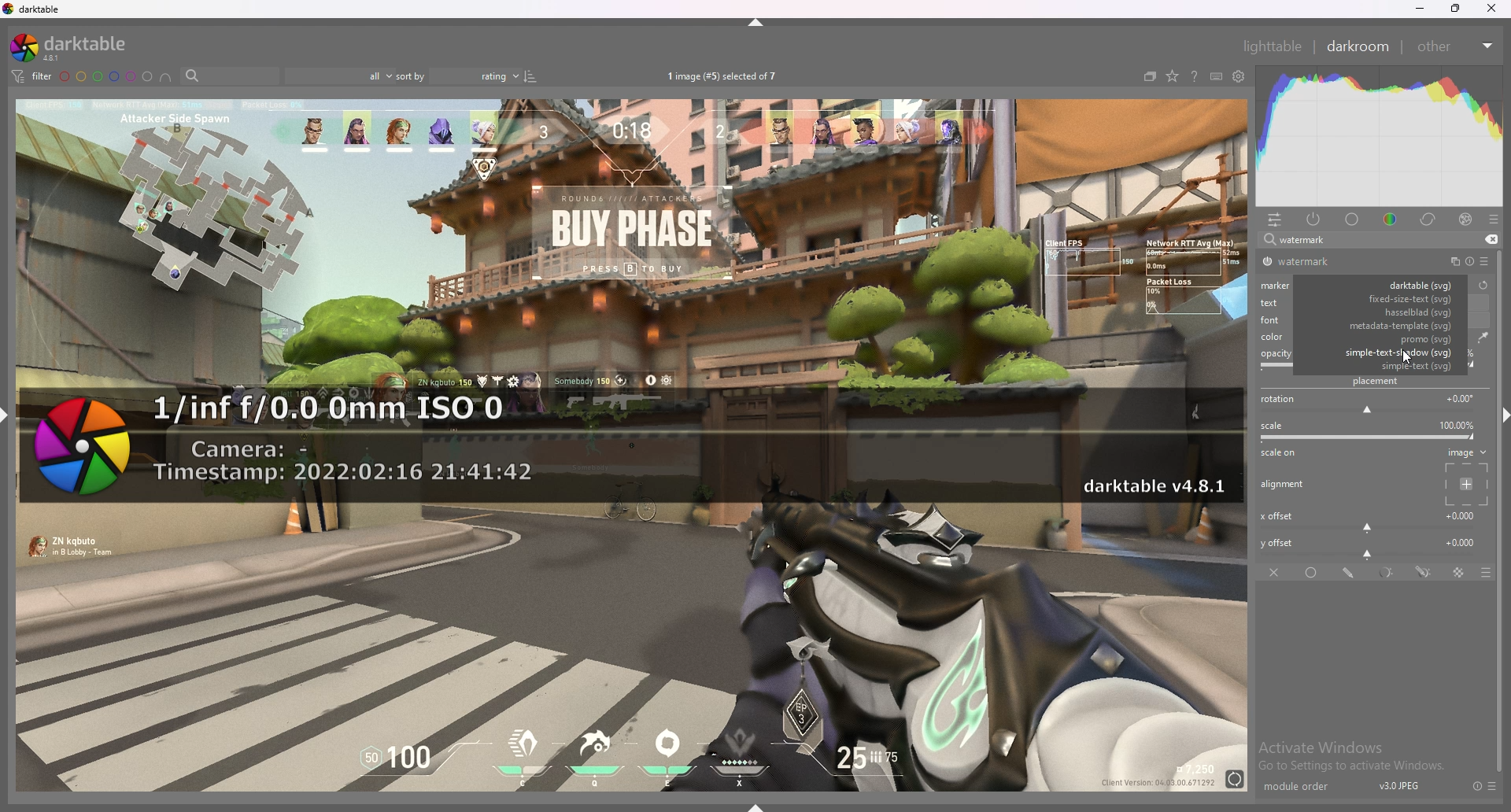 This screenshot has width=1511, height=812. Describe the element at coordinates (1172, 77) in the screenshot. I see `change type of overlays` at that location.